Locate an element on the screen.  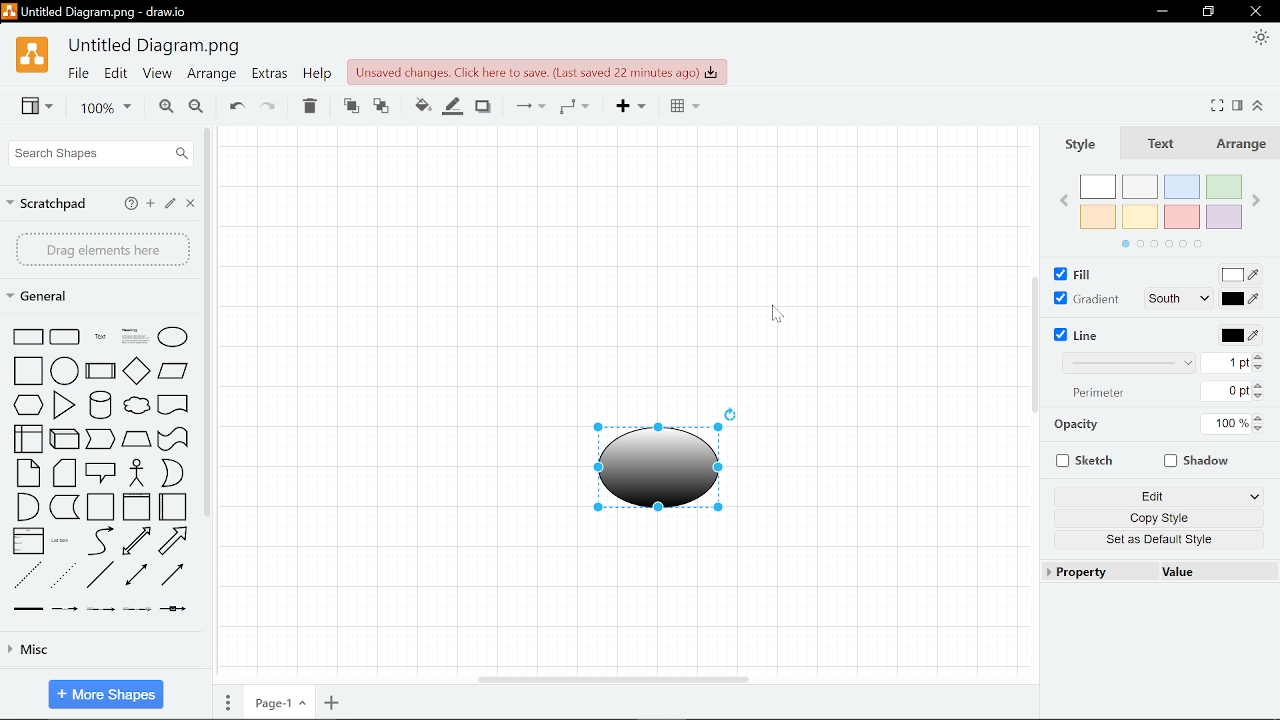
Fill with color is located at coordinates (1244, 276).